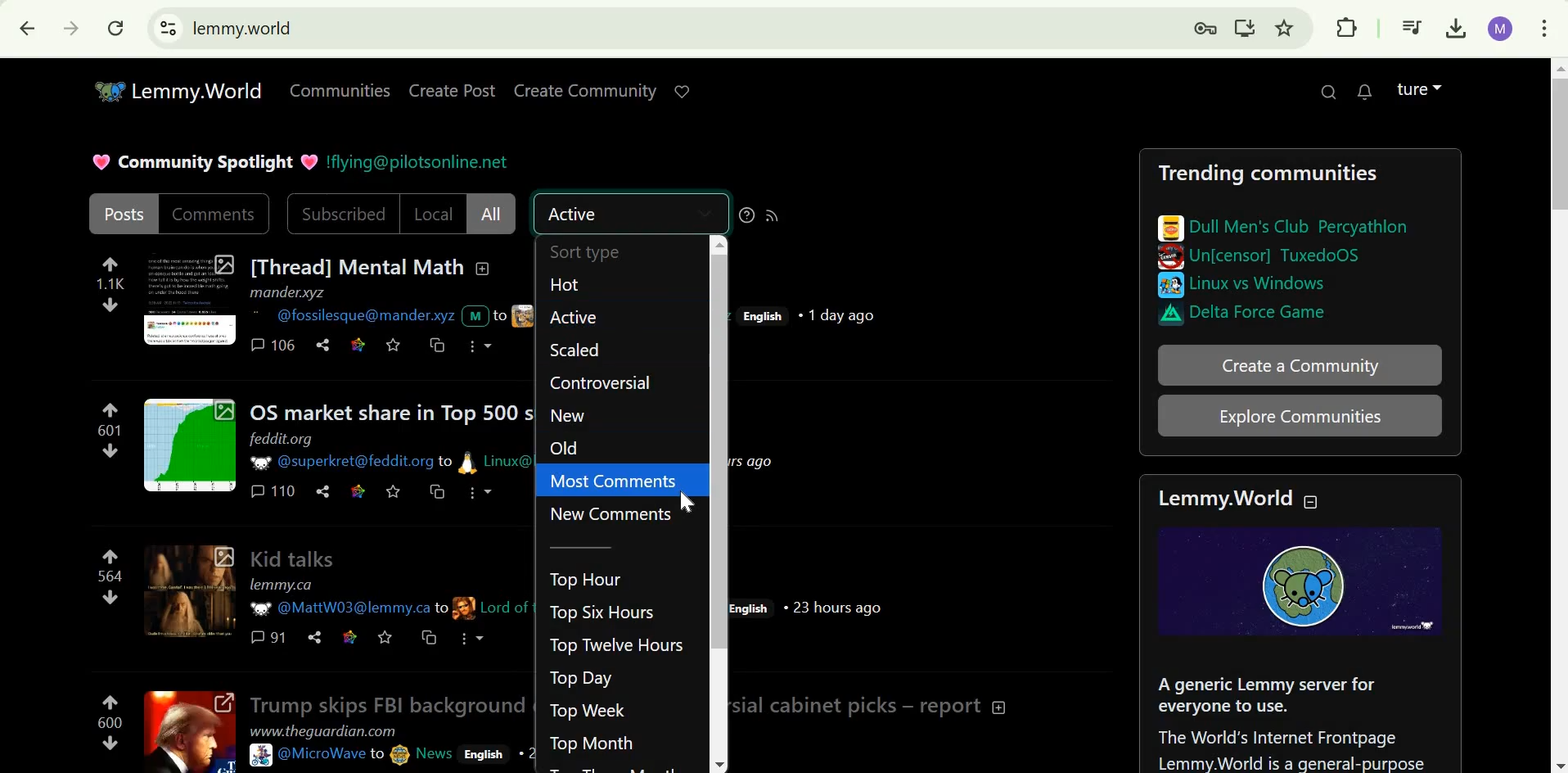  I want to click on Top Week, so click(586, 710).